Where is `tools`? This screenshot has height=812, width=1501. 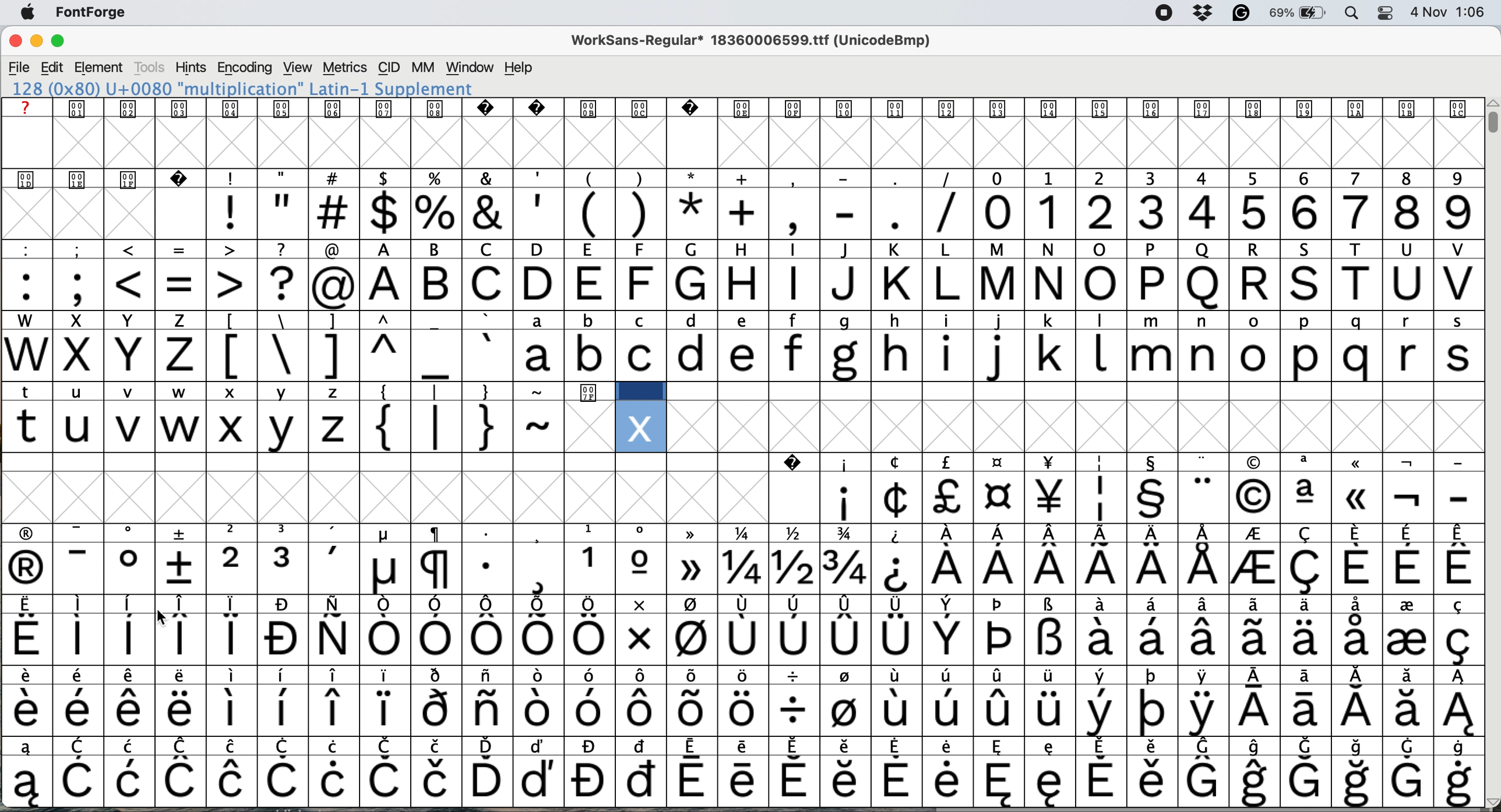
tools is located at coordinates (150, 68).